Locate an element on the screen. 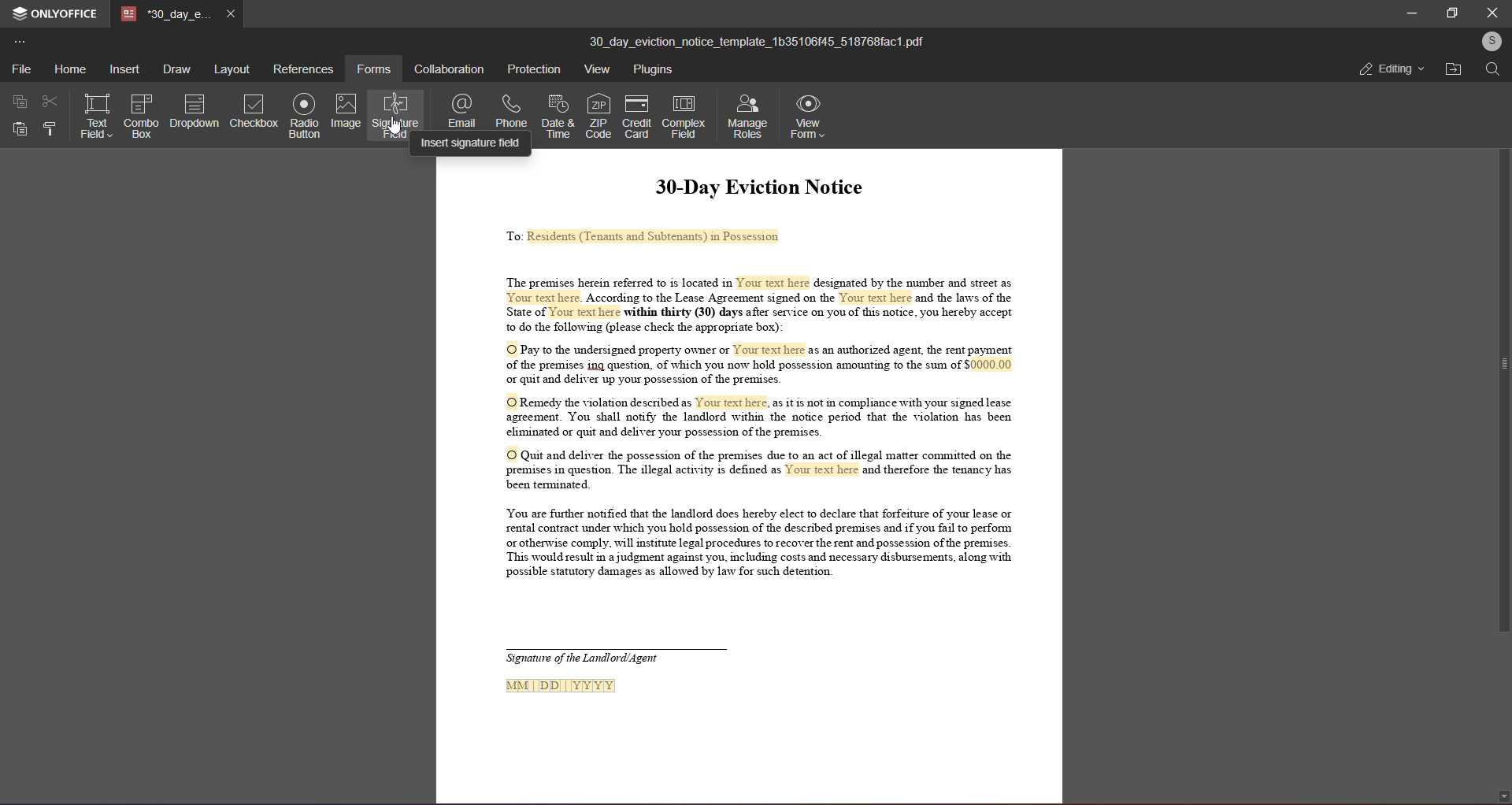 The height and width of the screenshot is (805, 1512). complex fields is located at coordinates (685, 117).